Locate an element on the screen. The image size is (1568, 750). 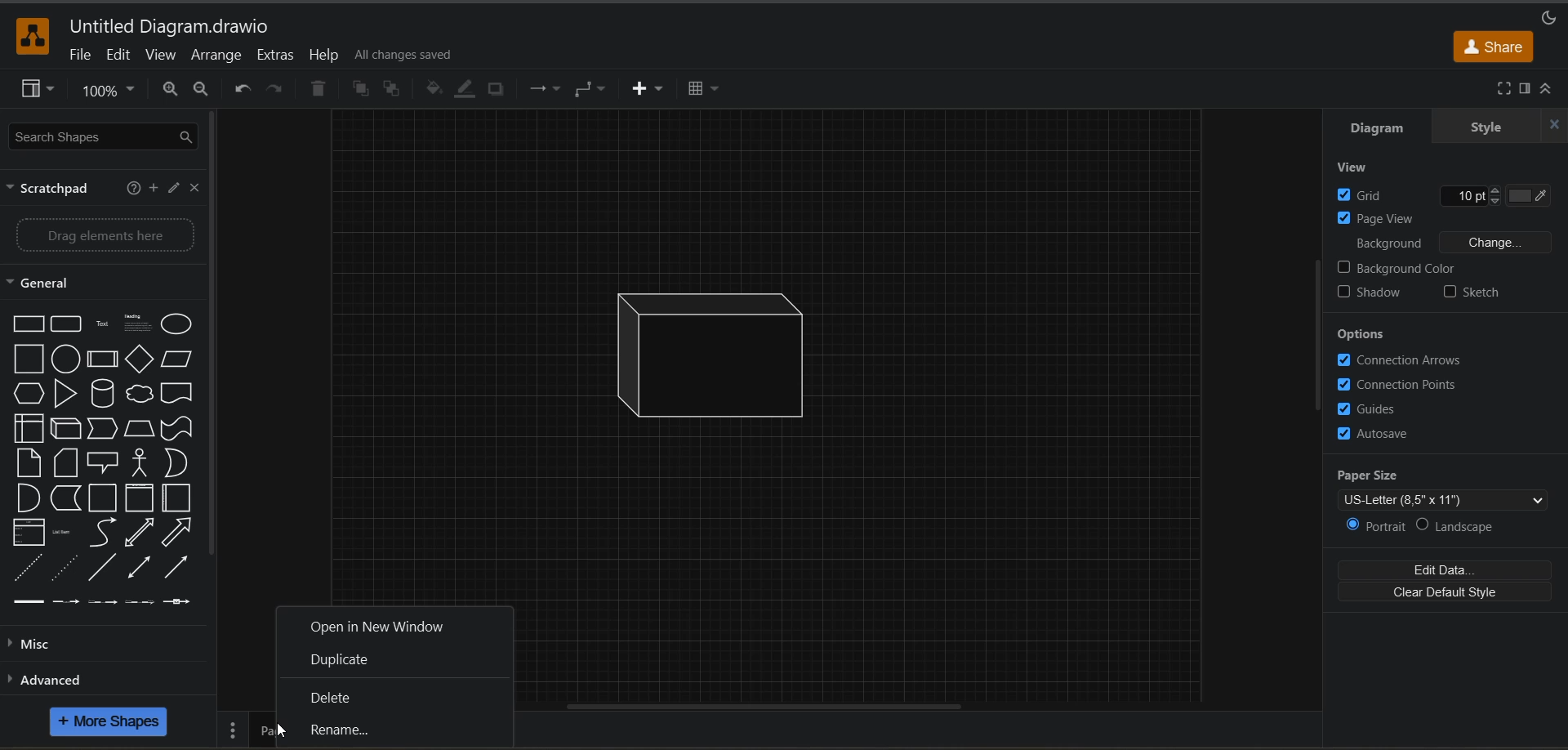
Cursor at Rename is located at coordinates (282, 730).